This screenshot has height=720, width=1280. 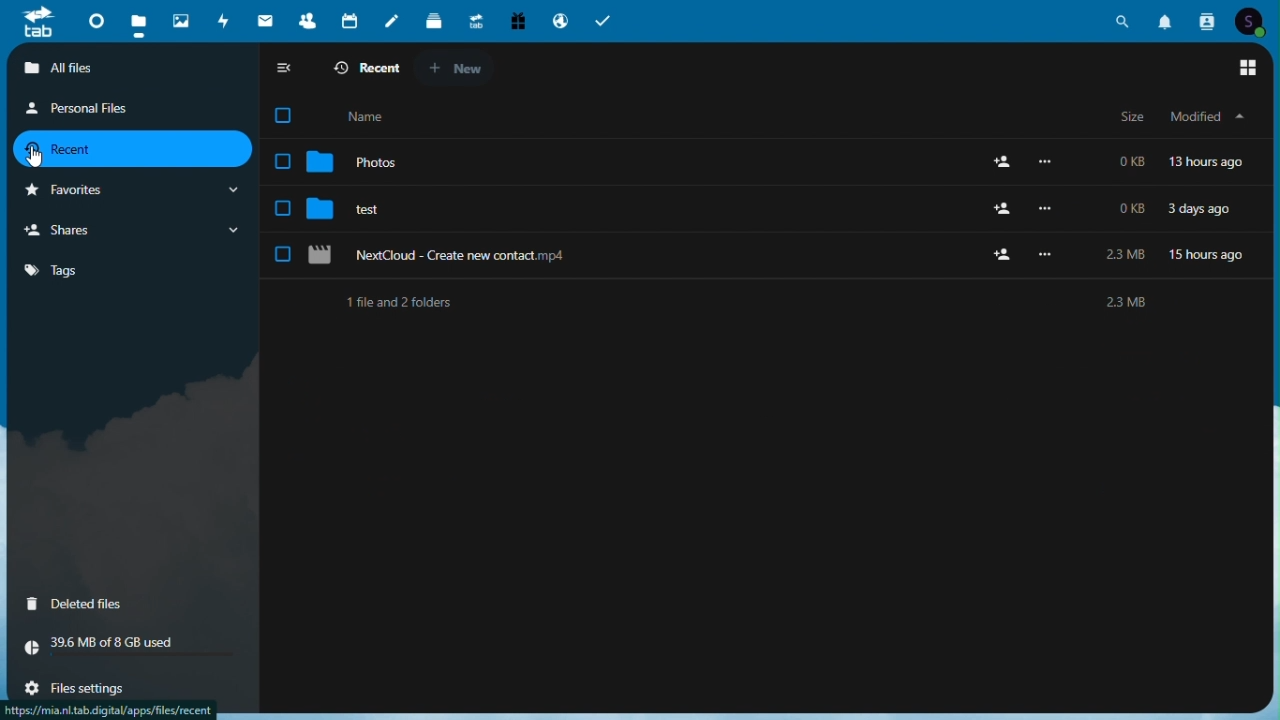 I want to click on upgrade, so click(x=474, y=19).